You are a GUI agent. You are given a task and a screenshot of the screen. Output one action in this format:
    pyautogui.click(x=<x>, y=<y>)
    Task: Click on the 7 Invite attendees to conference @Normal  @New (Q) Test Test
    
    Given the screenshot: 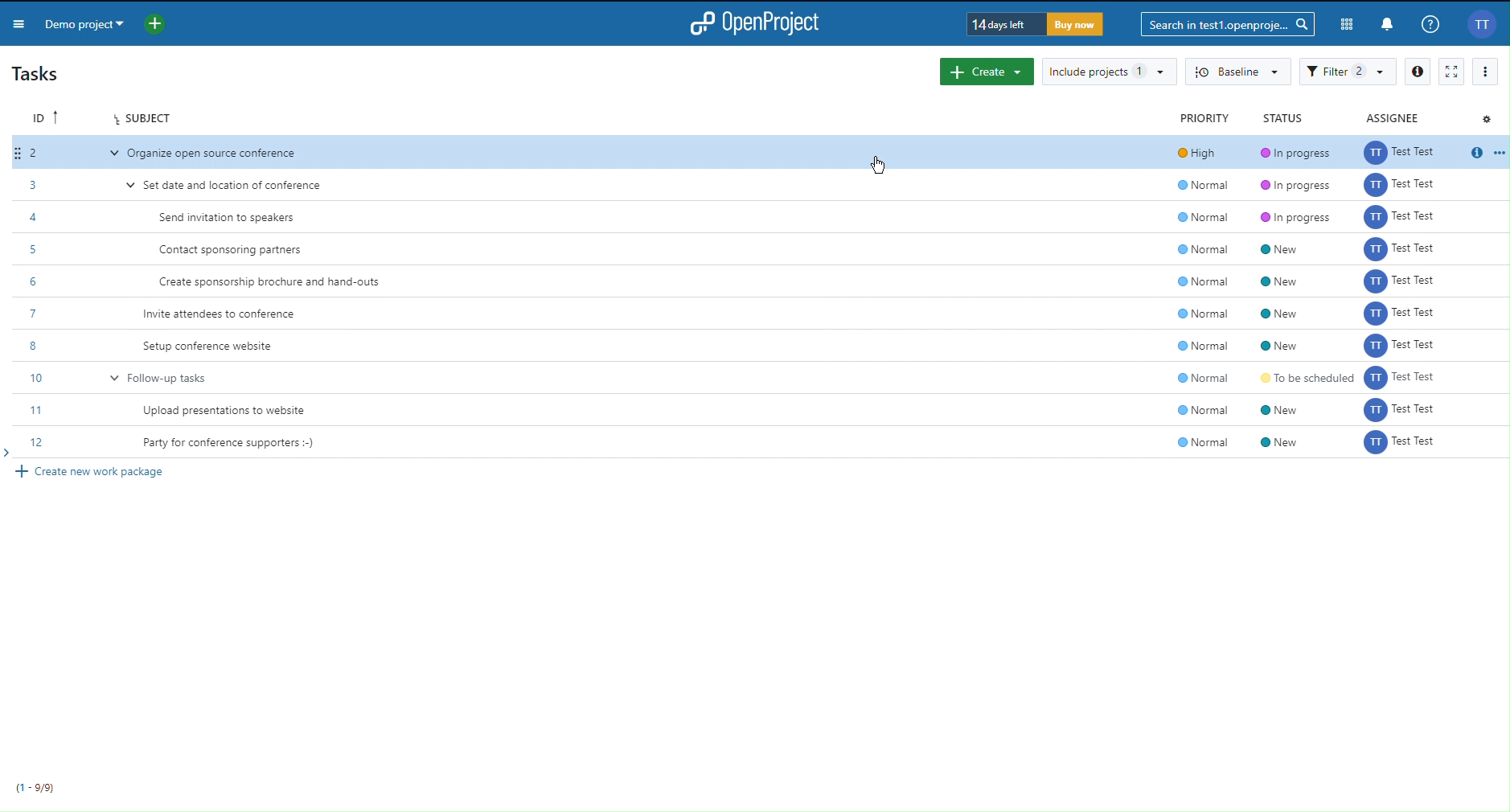 What is the action you would take?
    pyautogui.click(x=756, y=314)
    